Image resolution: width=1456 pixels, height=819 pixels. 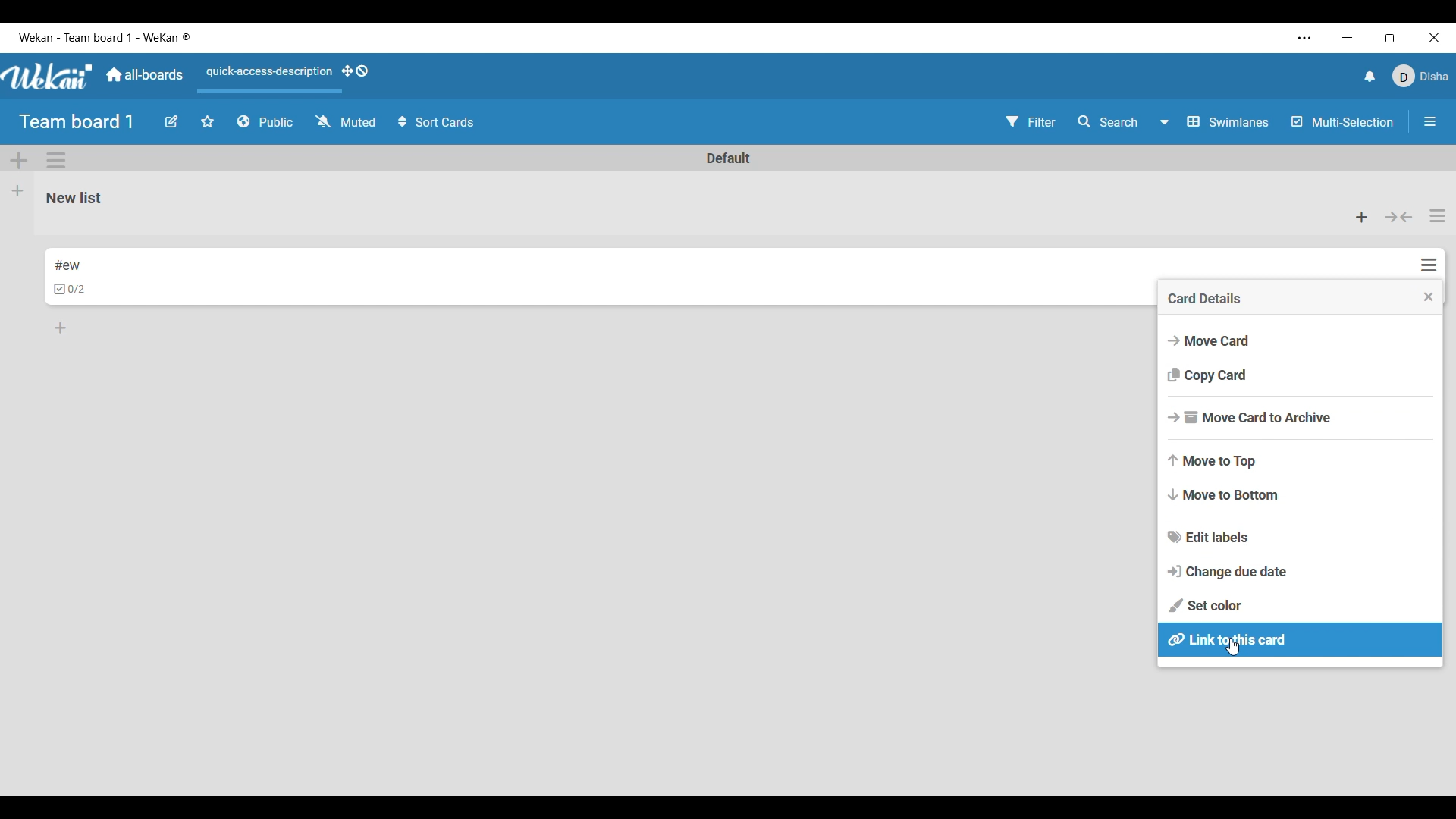 What do you see at coordinates (729, 158) in the screenshot?
I see `Swimlane name` at bounding box center [729, 158].